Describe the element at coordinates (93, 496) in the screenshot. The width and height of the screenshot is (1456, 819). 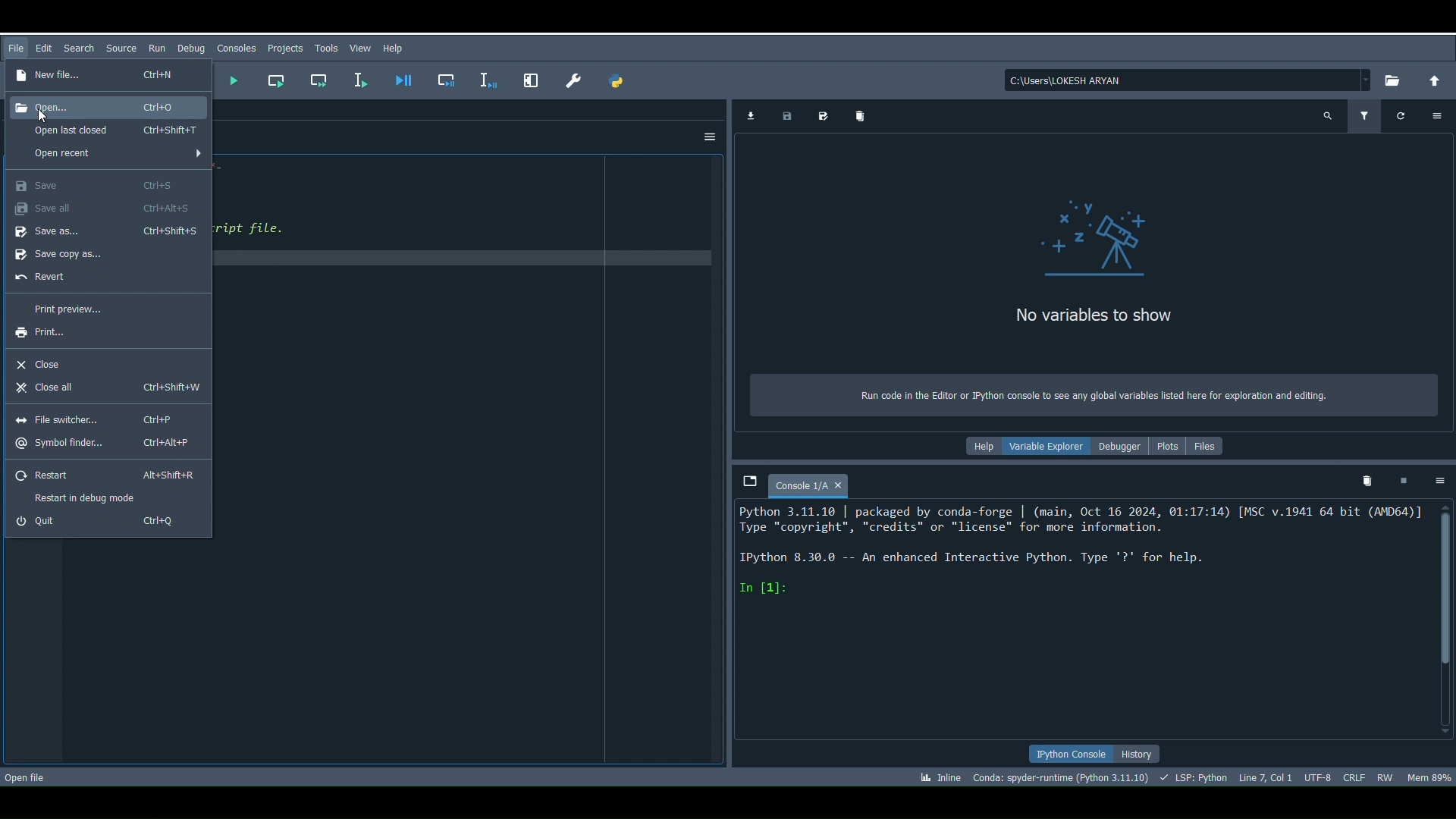
I see `Restart in debug mode` at that location.